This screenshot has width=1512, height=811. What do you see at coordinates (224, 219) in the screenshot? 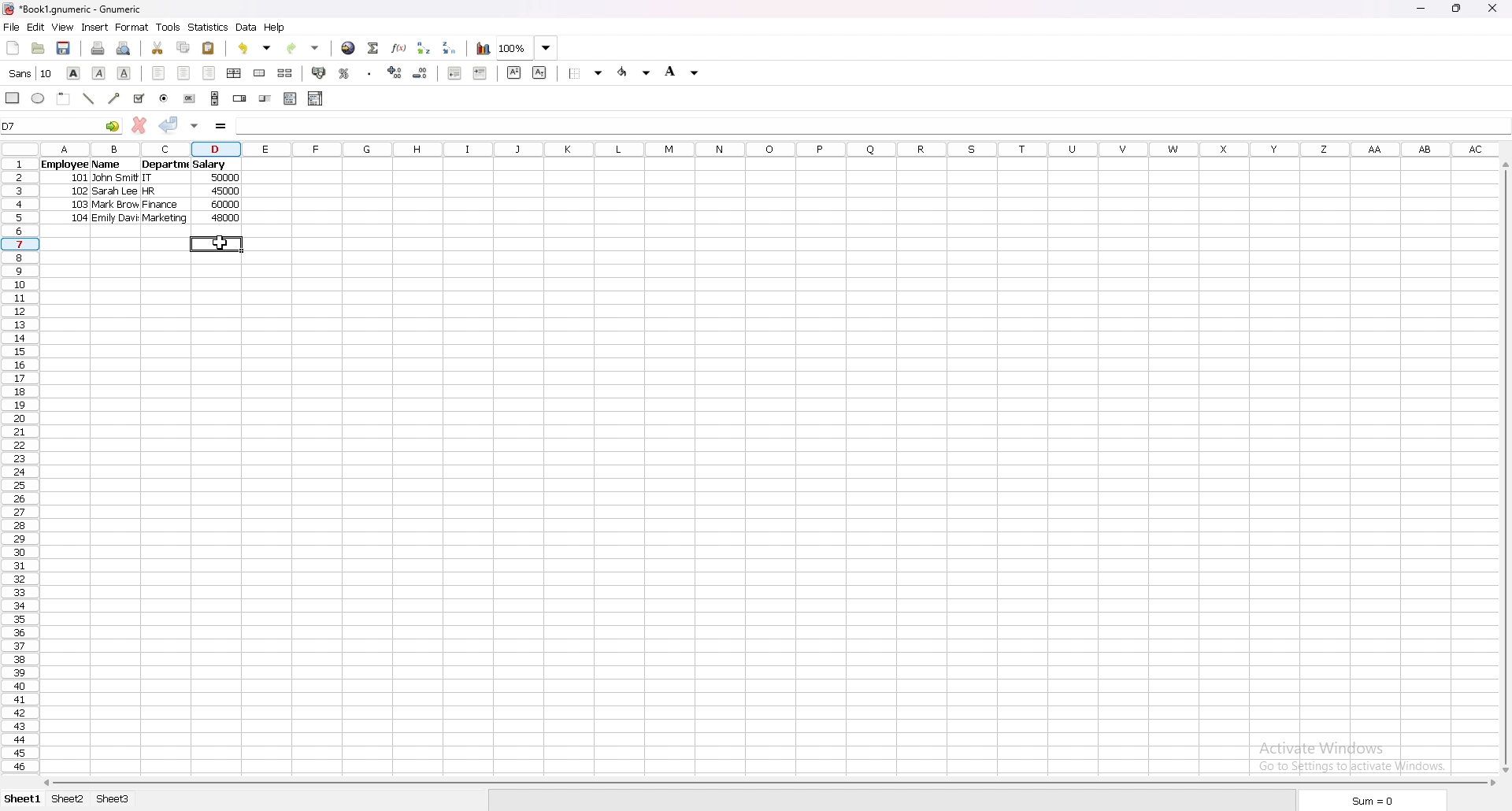
I see `4800` at bounding box center [224, 219].